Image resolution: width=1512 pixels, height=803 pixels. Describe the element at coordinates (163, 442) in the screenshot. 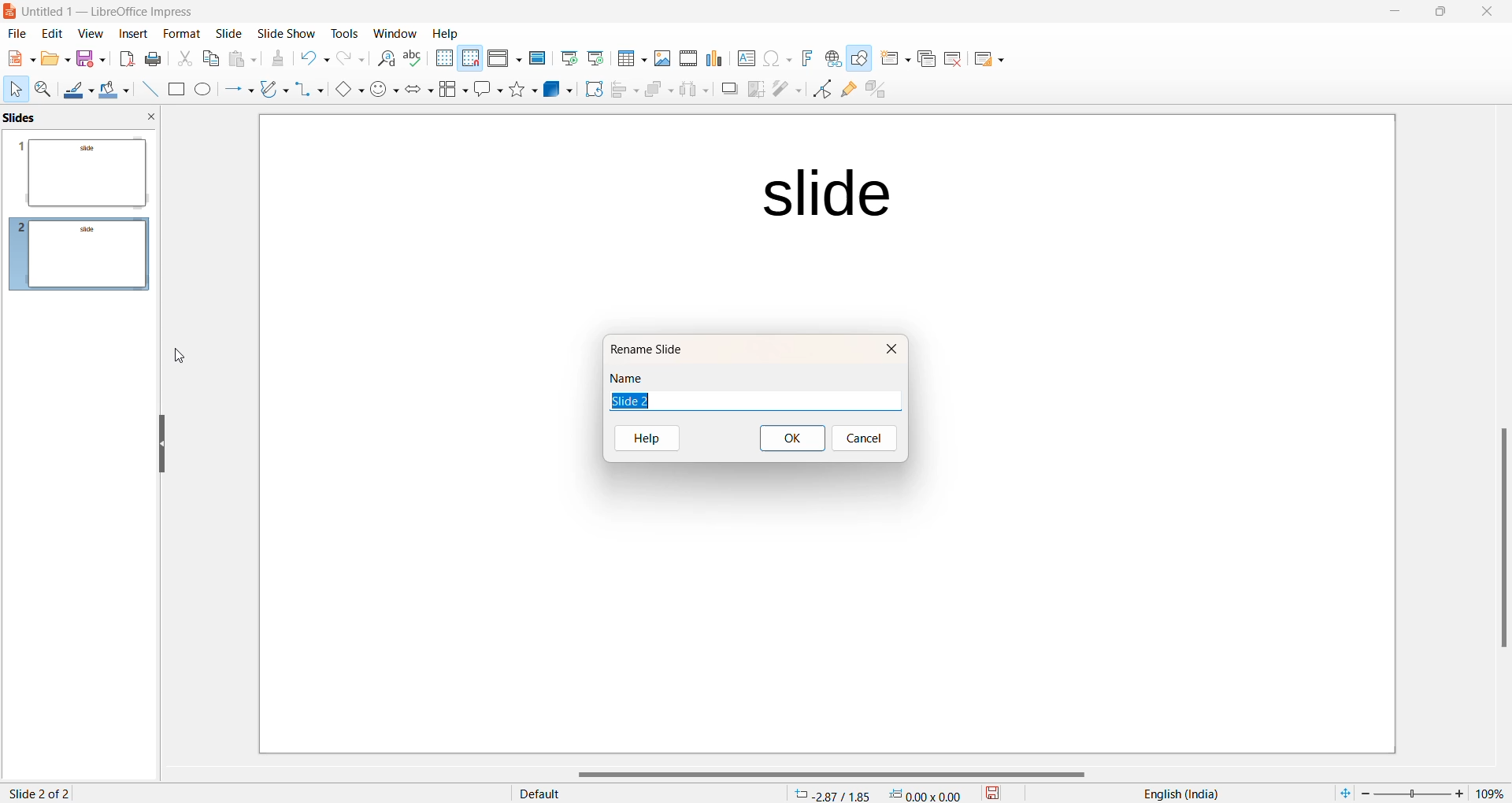

I see `hide left sidebar` at that location.